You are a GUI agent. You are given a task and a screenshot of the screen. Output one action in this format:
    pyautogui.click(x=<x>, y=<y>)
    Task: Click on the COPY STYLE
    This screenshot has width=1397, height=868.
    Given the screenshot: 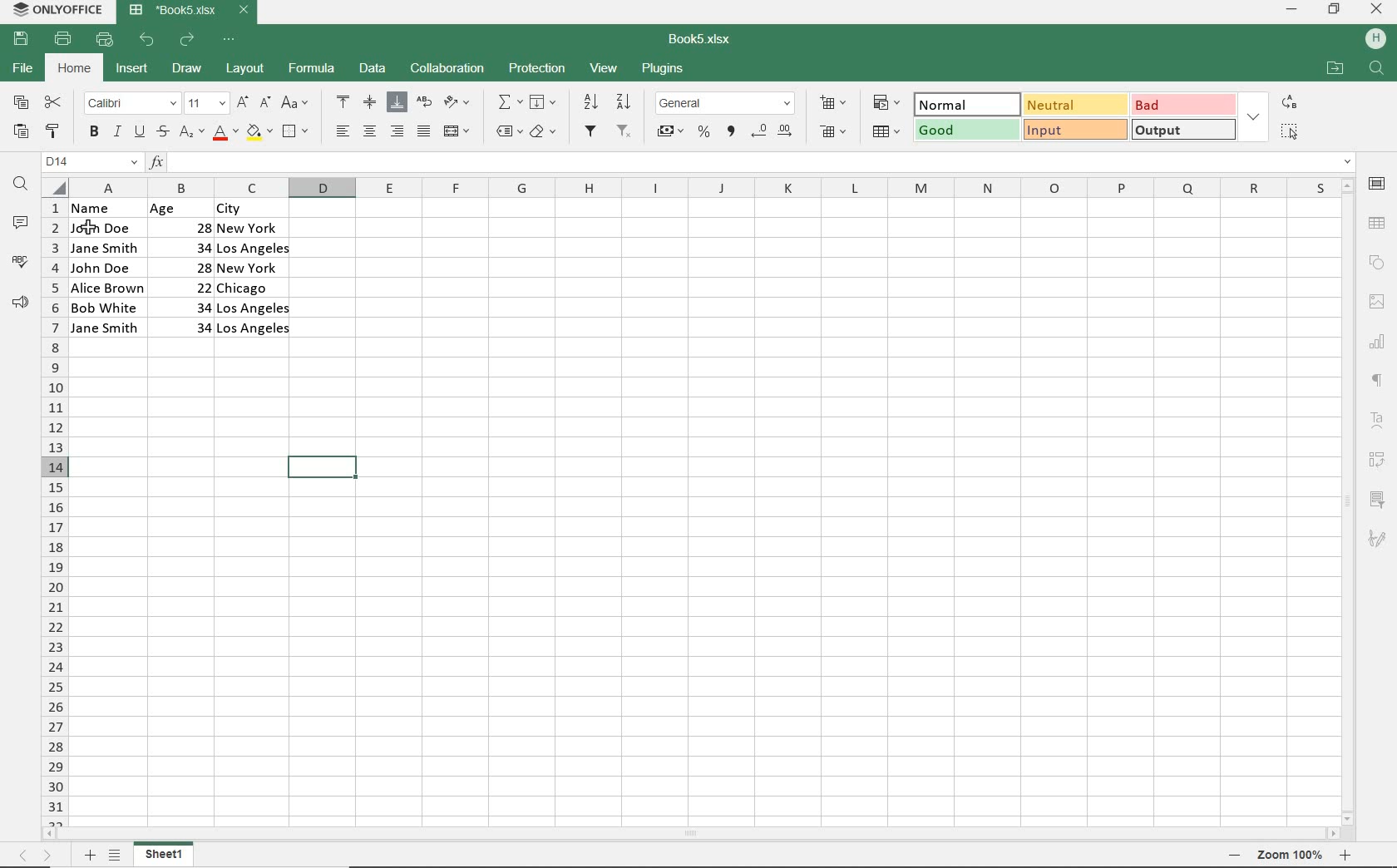 What is the action you would take?
    pyautogui.click(x=53, y=129)
    